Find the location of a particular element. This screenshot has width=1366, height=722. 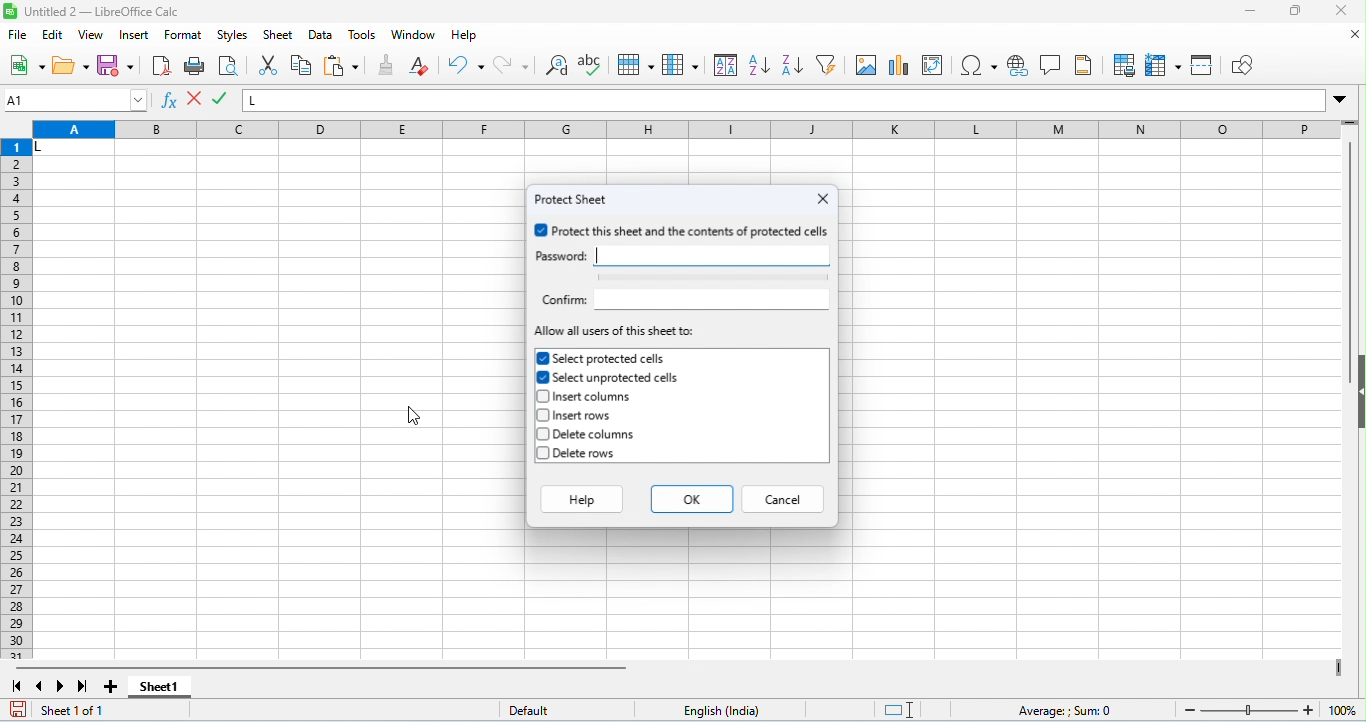

previous is located at coordinates (39, 686).